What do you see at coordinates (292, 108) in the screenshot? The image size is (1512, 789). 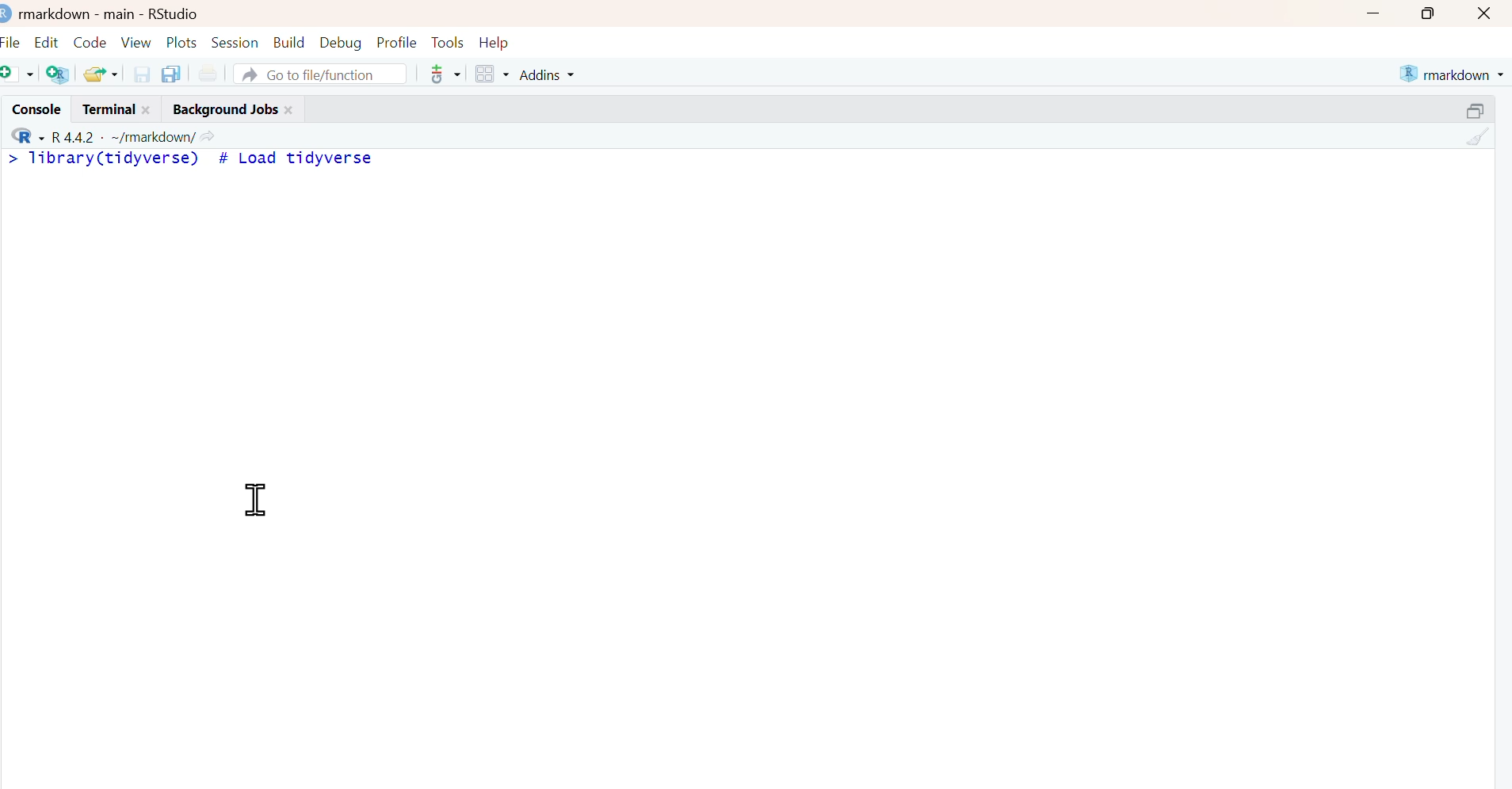 I see `close` at bounding box center [292, 108].